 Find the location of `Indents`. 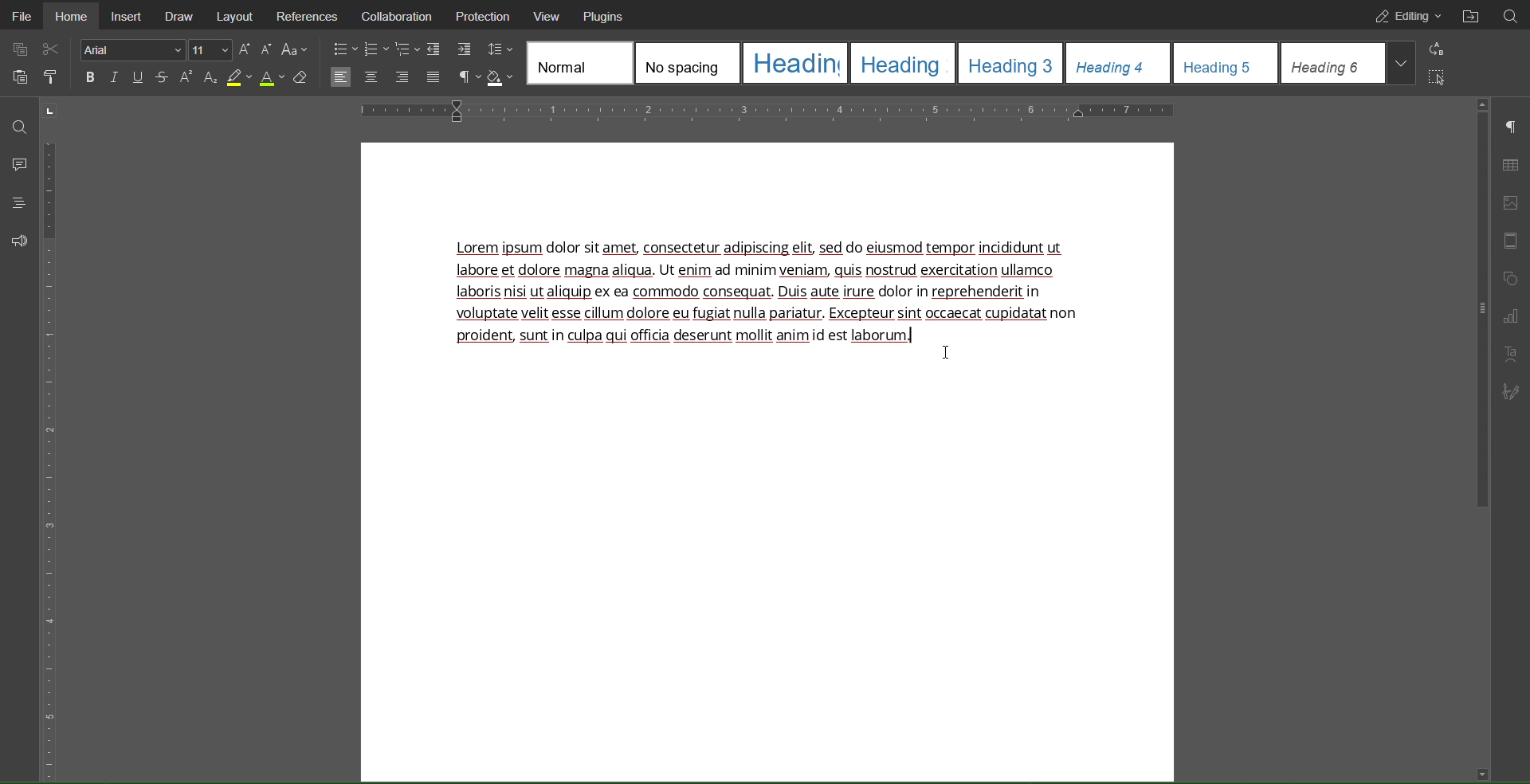

Indents is located at coordinates (449, 49).